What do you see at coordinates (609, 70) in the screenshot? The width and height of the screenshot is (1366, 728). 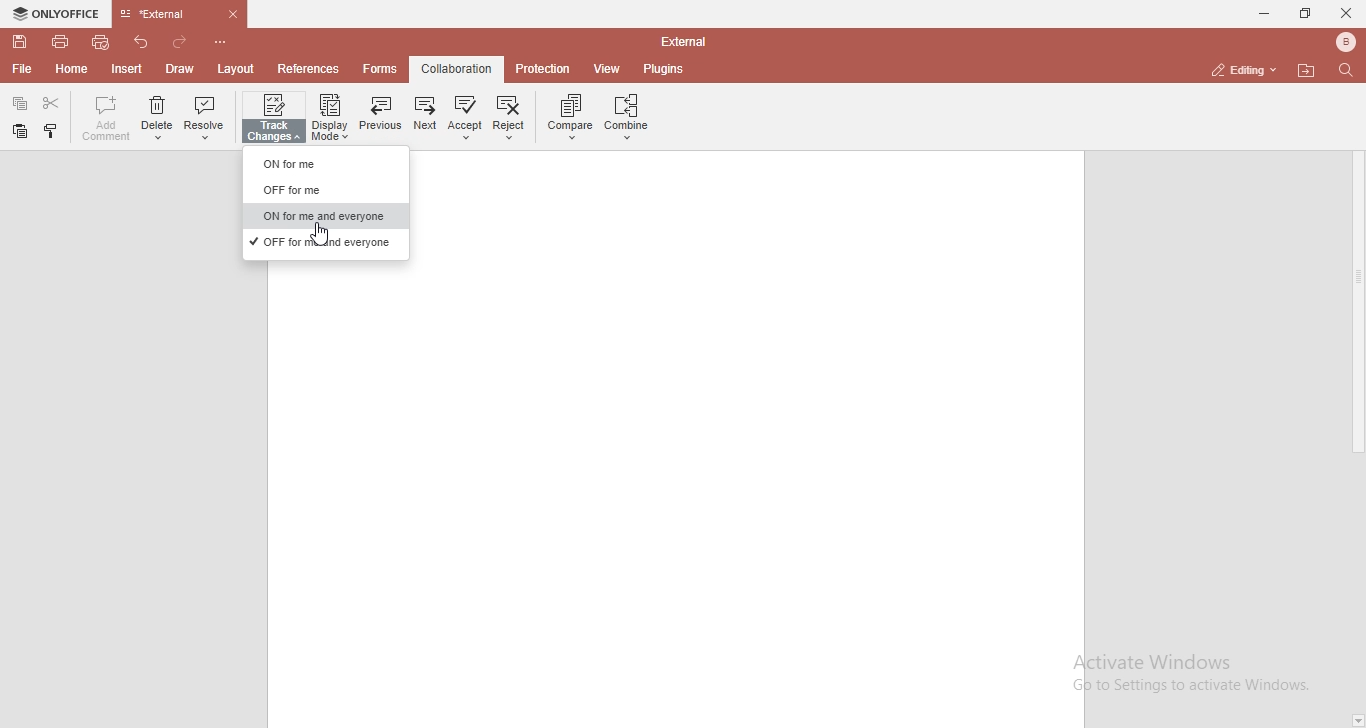 I see `view` at bounding box center [609, 70].